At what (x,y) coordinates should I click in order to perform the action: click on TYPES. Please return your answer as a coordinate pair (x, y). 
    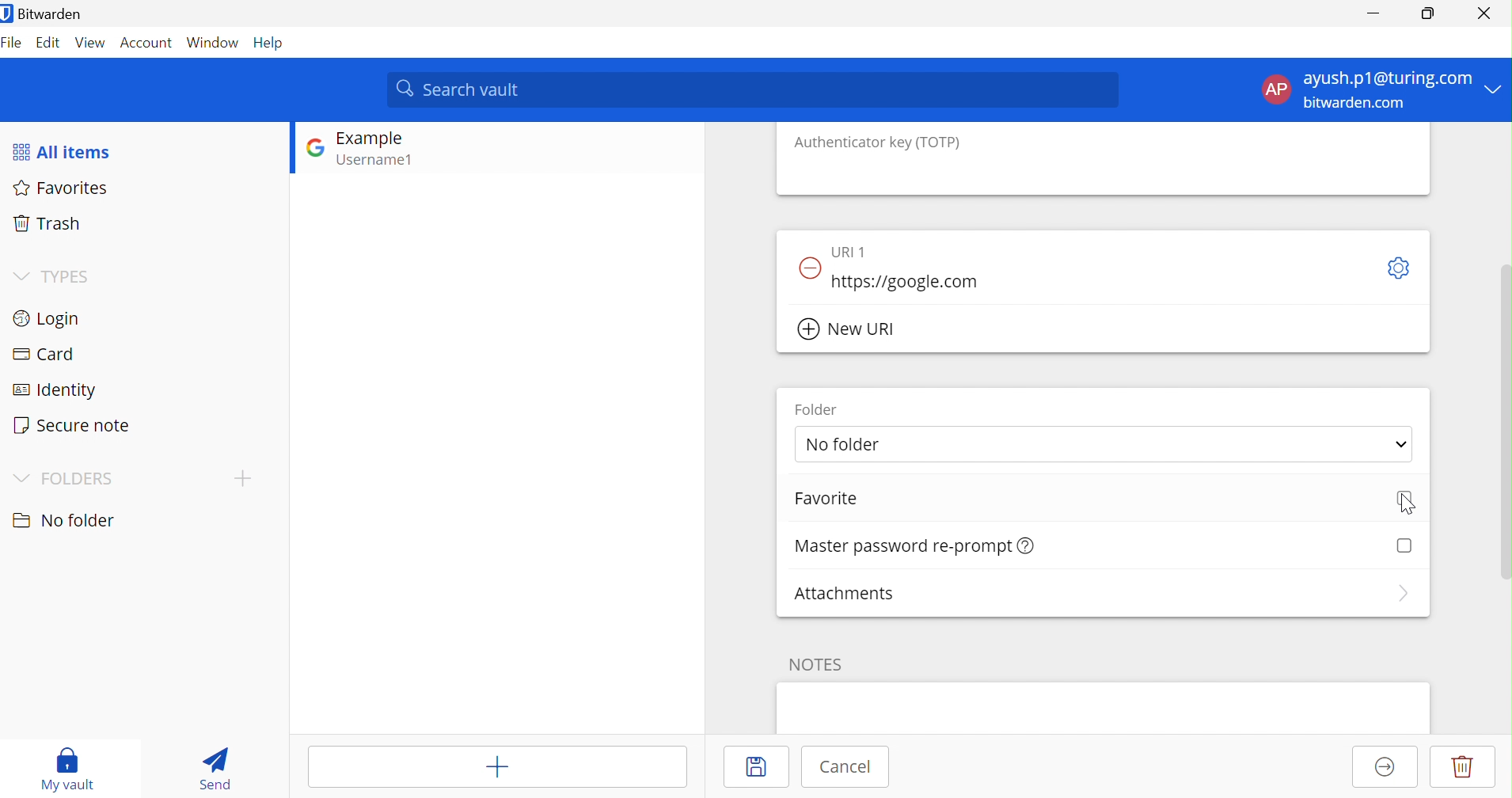
    Looking at the image, I should click on (69, 275).